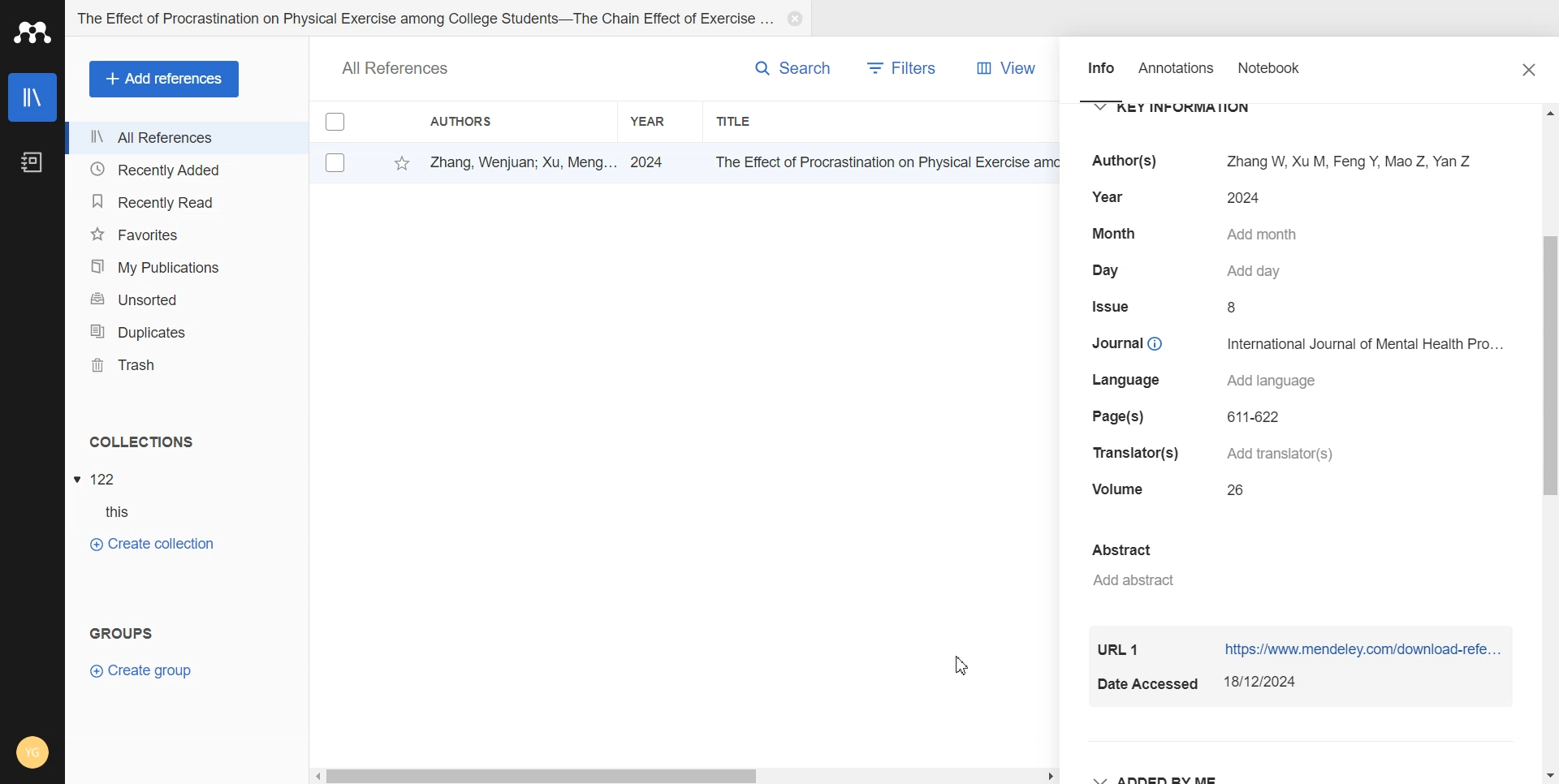  Describe the element at coordinates (118, 630) in the screenshot. I see `Text` at that location.